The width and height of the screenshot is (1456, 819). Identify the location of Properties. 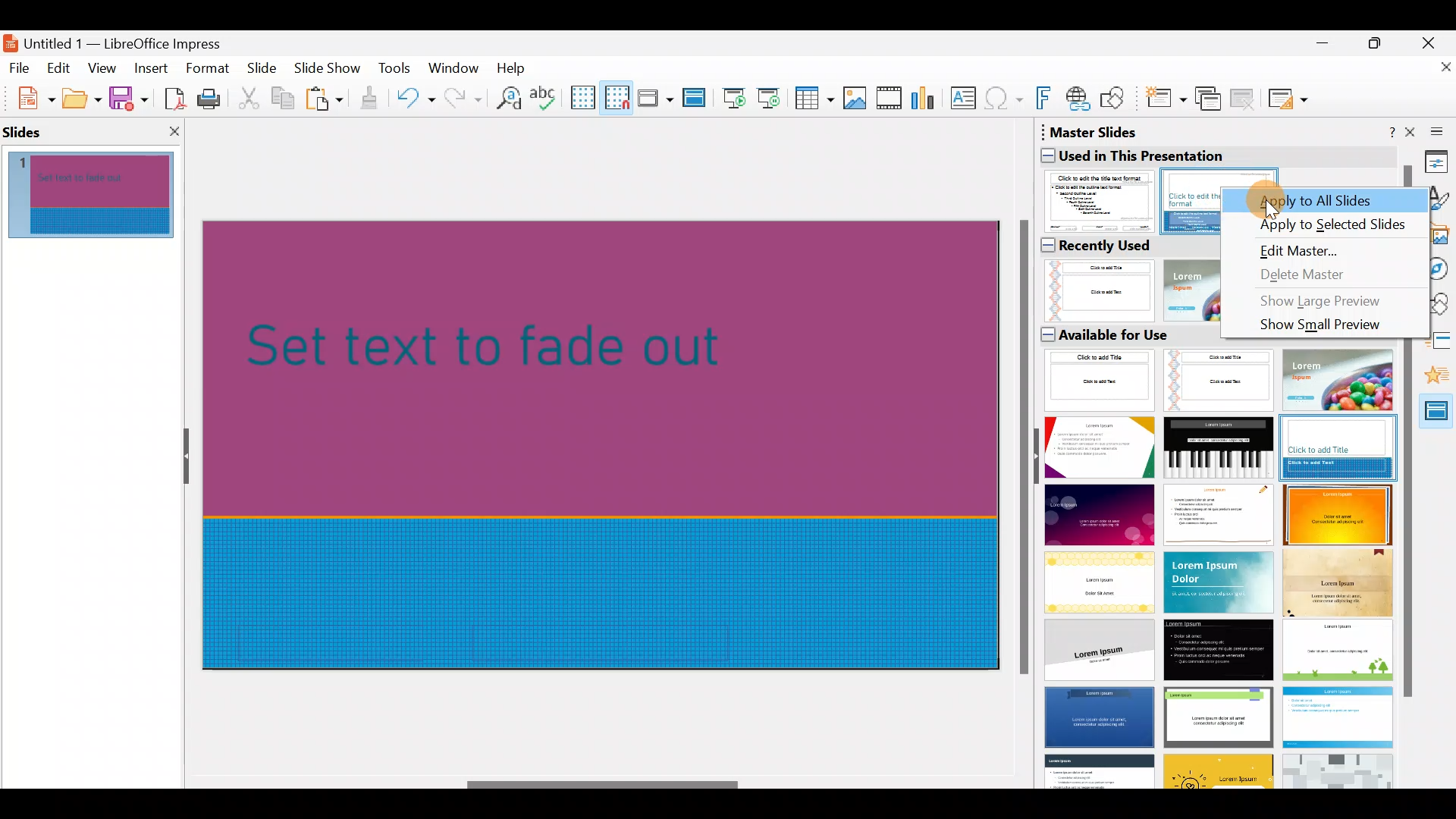
(1437, 161).